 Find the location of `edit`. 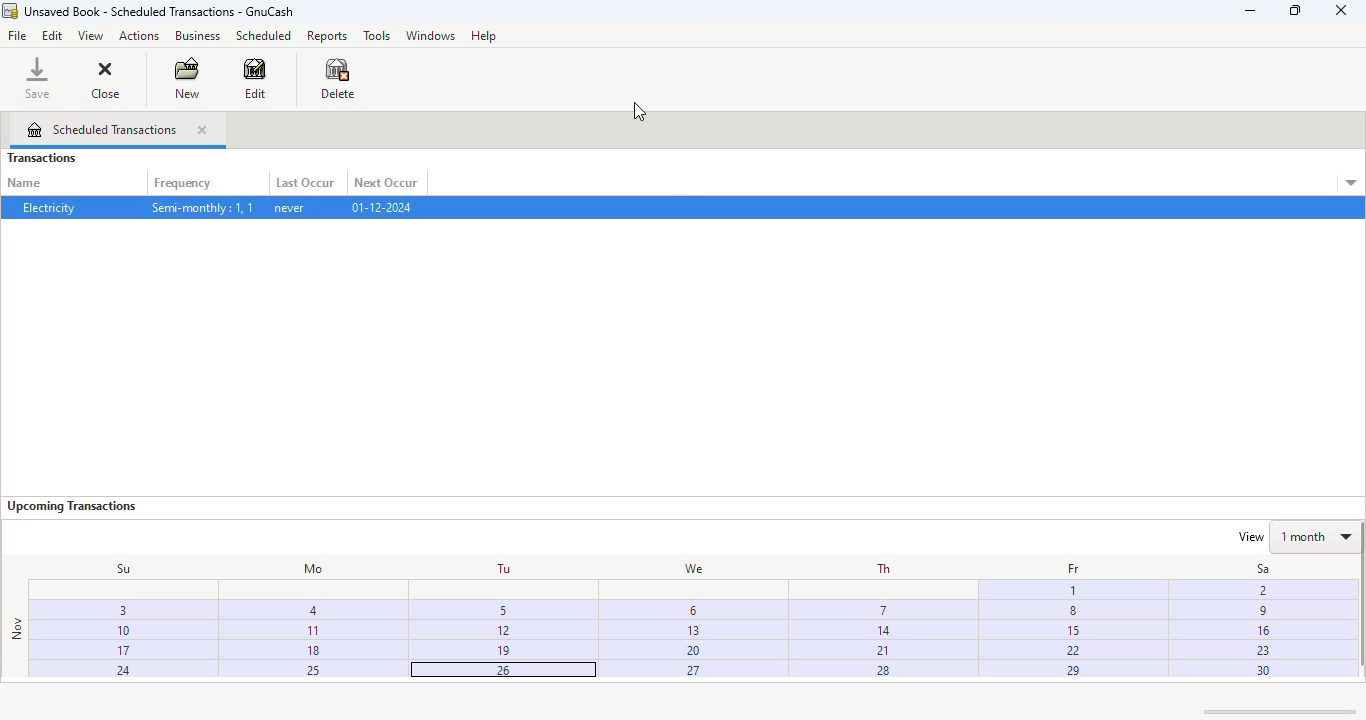

edit is located at coordinates (53, 36).